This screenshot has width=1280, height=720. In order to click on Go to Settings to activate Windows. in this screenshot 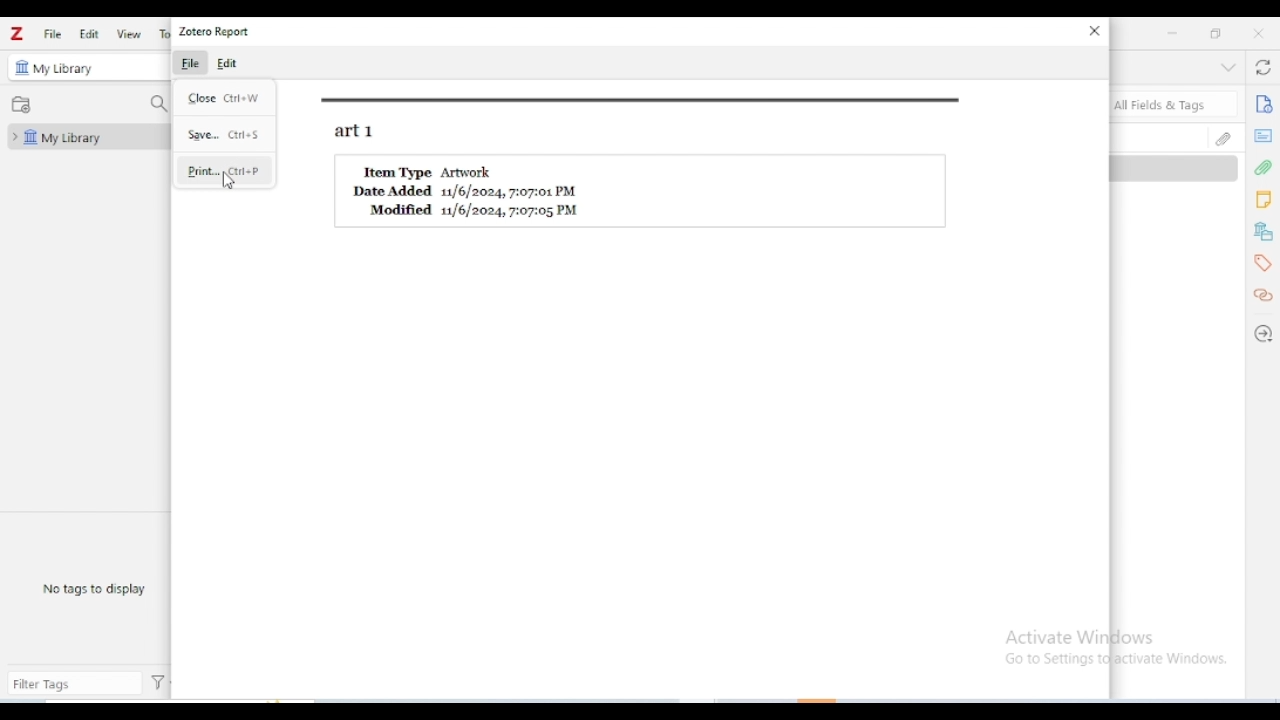, I will do `click(1119, 660)`.